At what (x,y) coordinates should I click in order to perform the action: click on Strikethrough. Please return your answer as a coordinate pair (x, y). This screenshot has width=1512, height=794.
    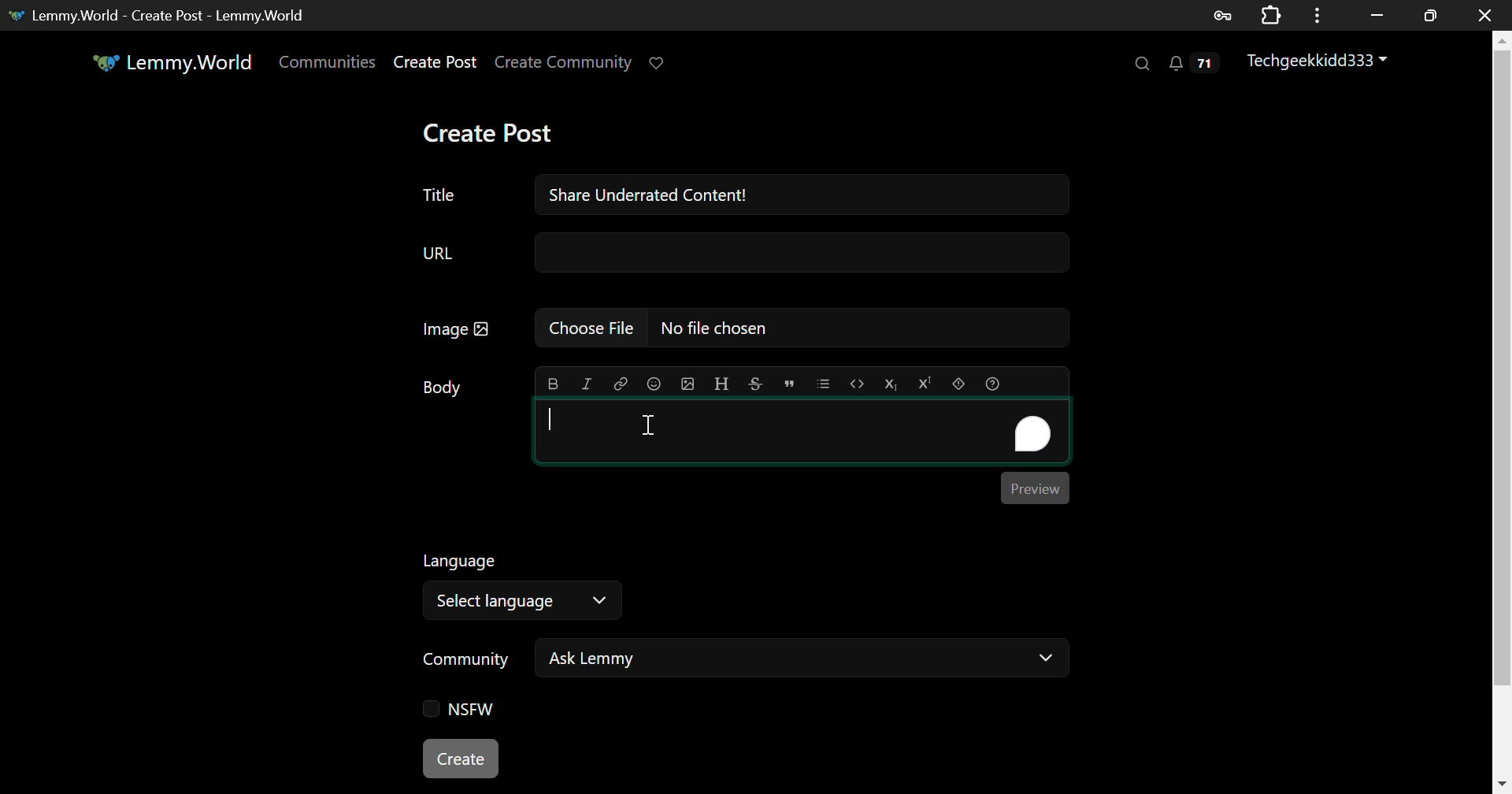
    Looking at the image, I should click on (754, 384).